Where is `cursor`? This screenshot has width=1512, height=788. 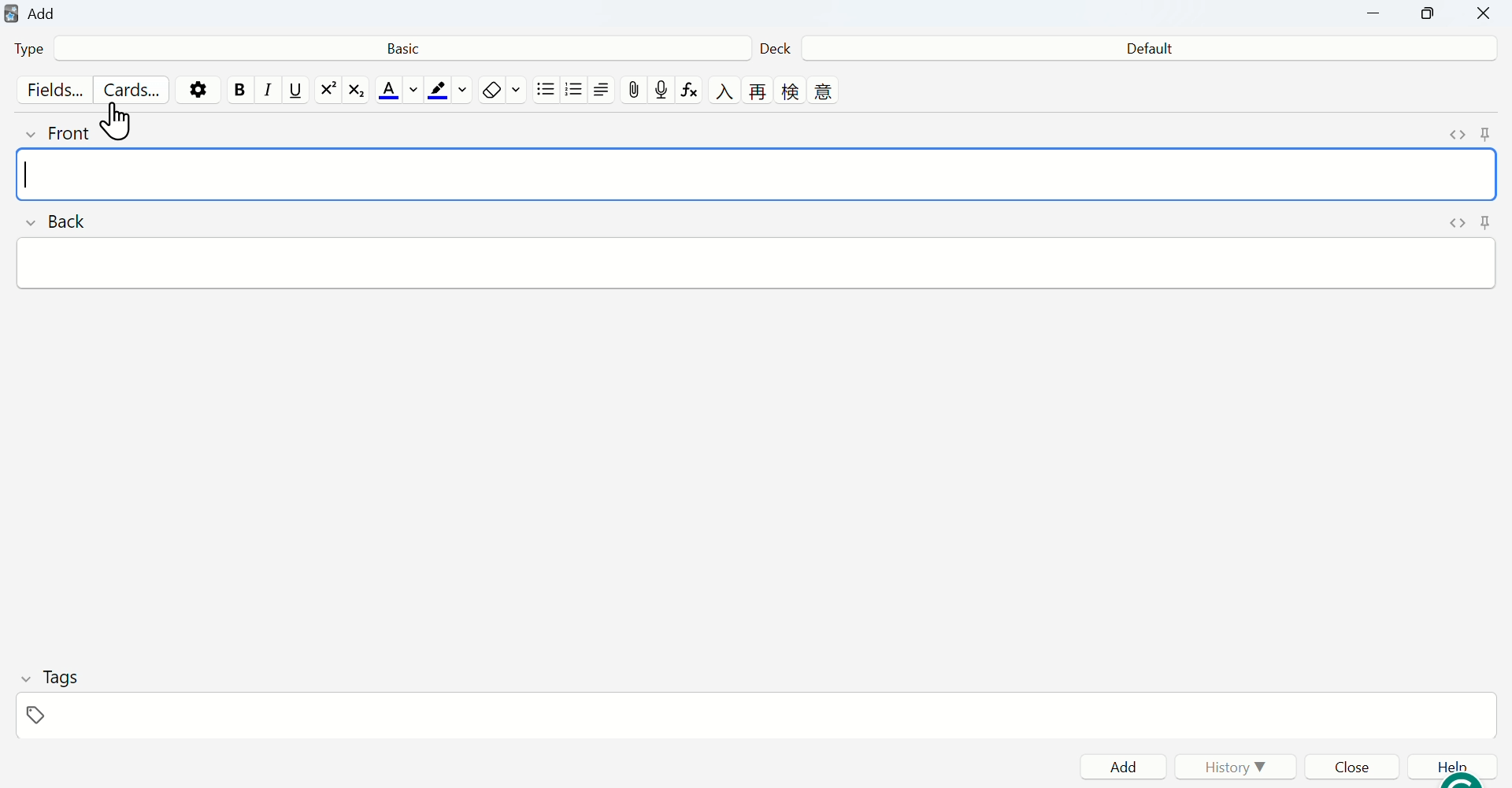
cursor is located at coordinates (115, 121).